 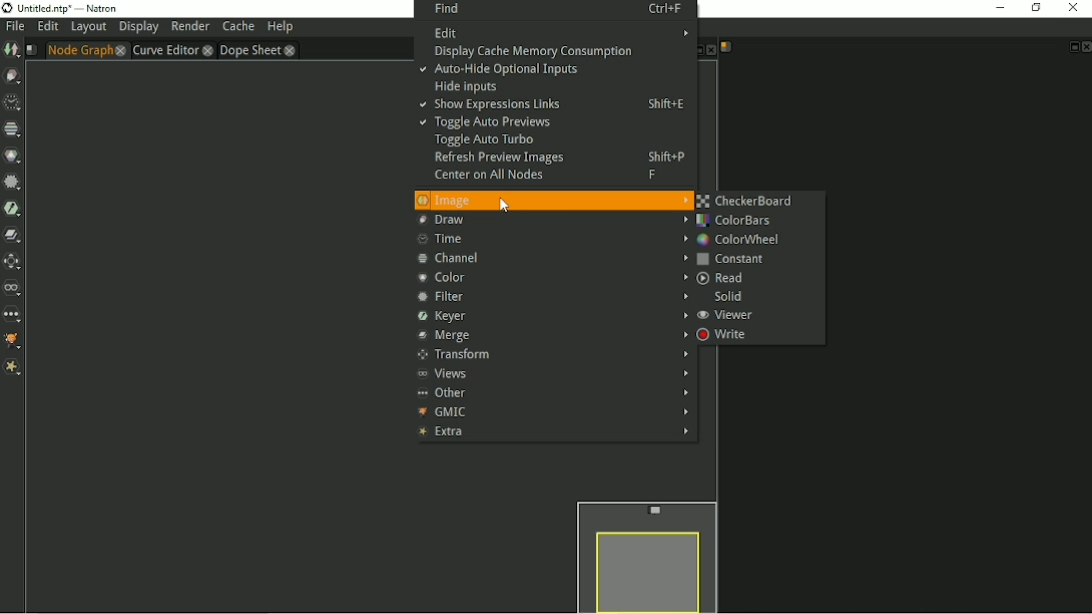 I want to click on Center on all nodes, so click(x=548, y=177).